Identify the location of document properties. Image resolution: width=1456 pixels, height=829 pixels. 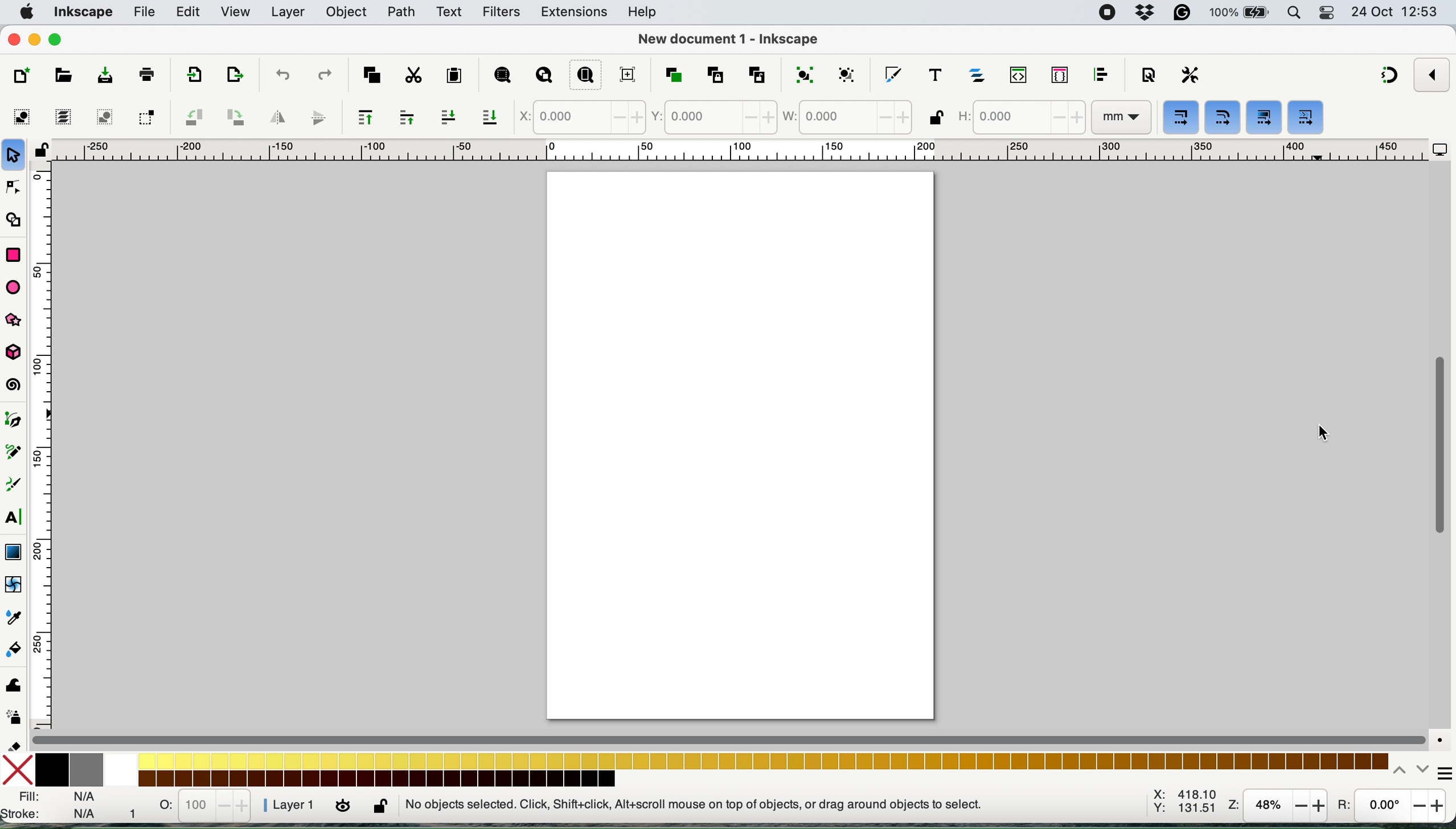
(1148, 74).